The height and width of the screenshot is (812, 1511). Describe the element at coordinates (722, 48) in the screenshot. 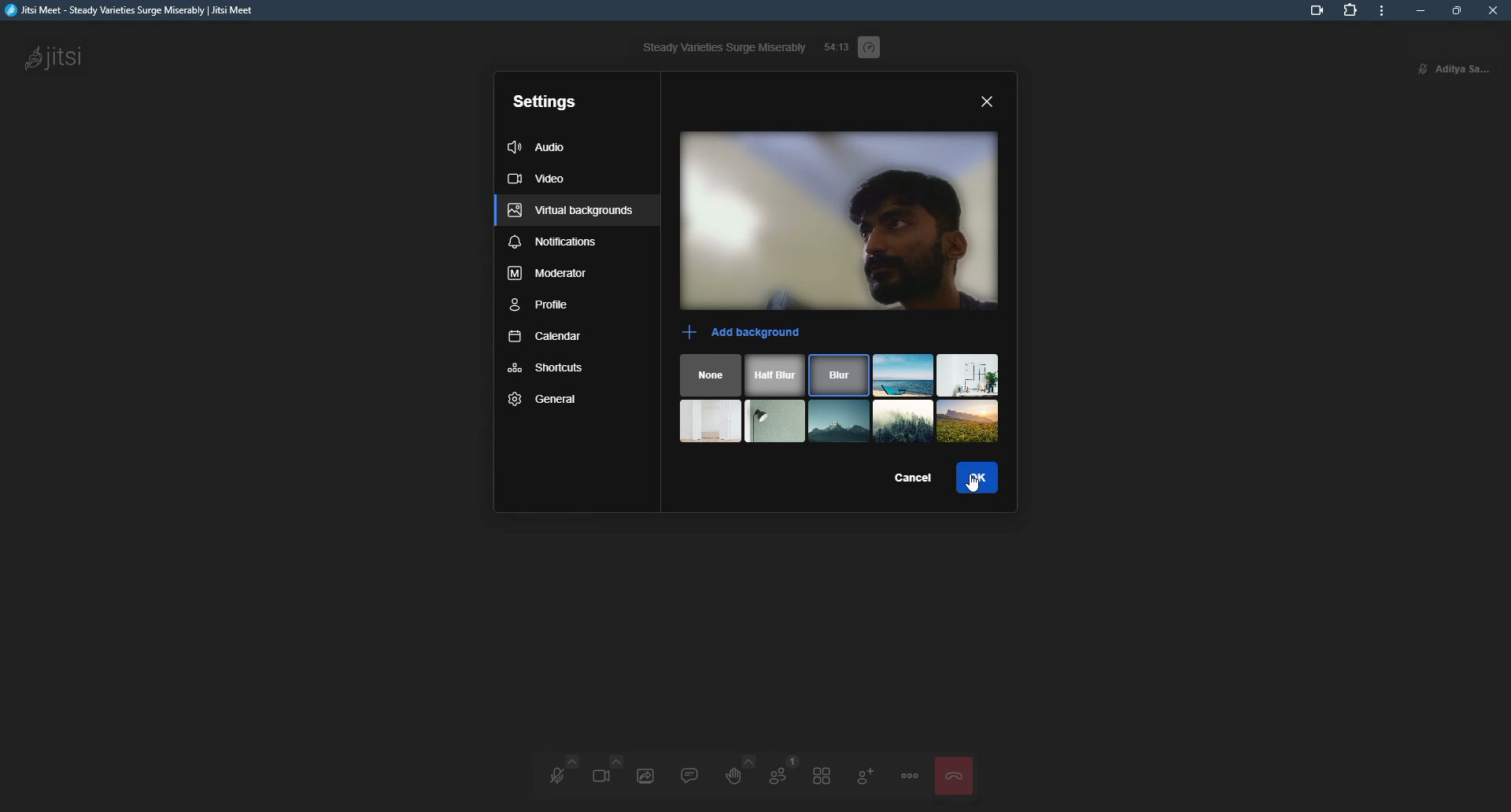

I see `steady varieties surge miserably` at that location.